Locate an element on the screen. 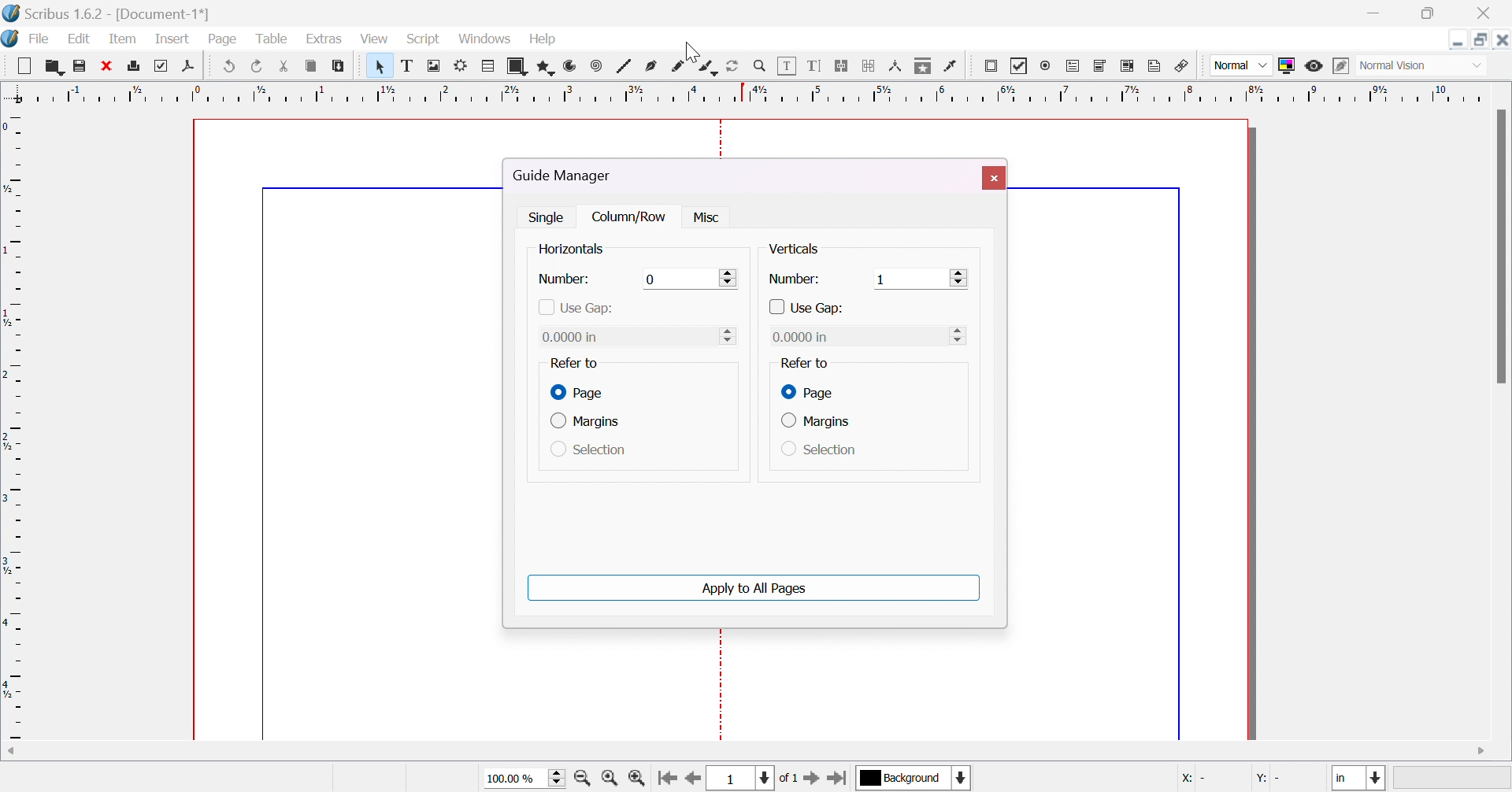 The image size is (1512, 792). number is located at coordinates (794, 279).